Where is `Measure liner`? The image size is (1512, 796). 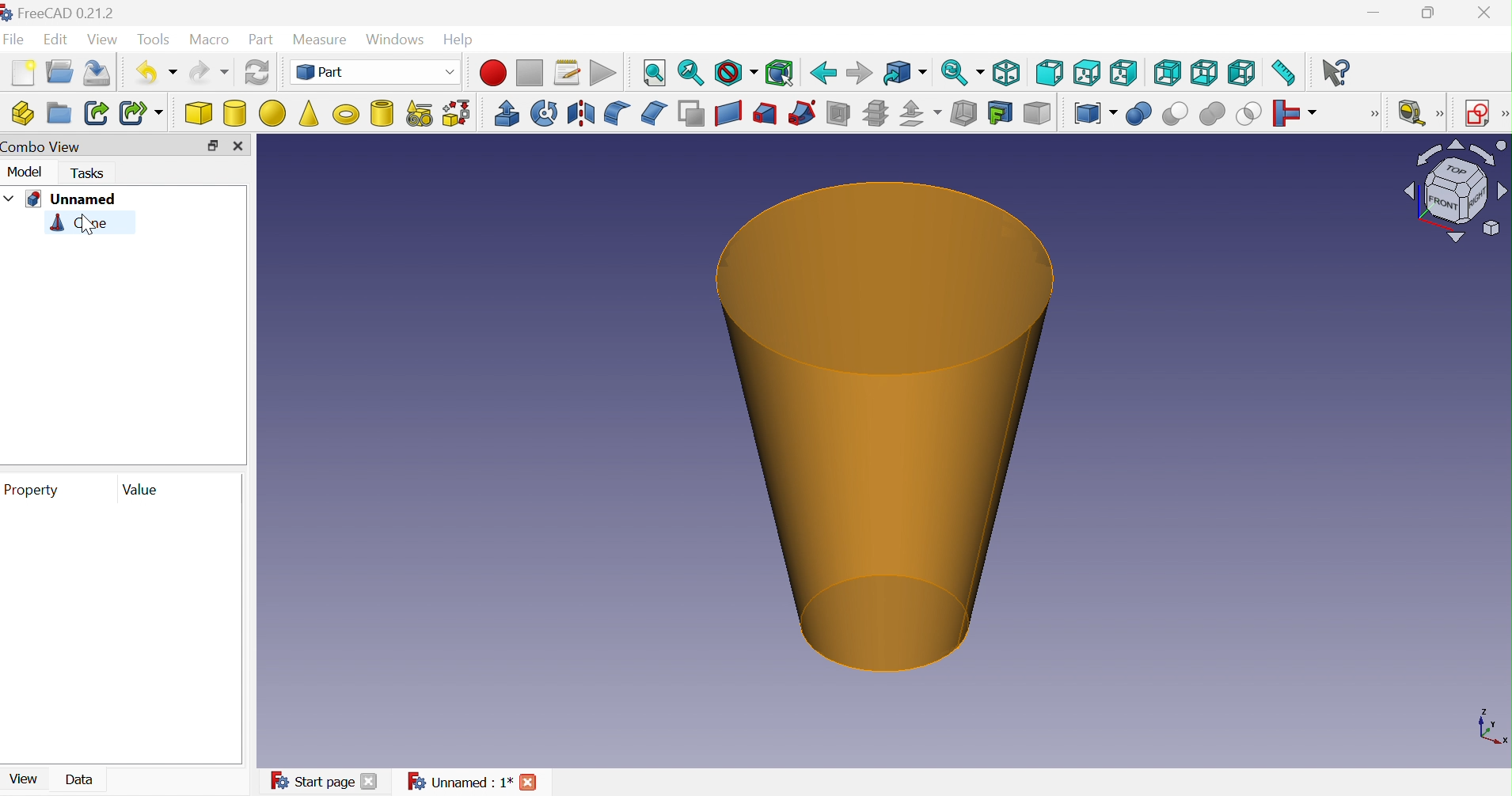 Measure liner is located at coordinates (1413, 112).